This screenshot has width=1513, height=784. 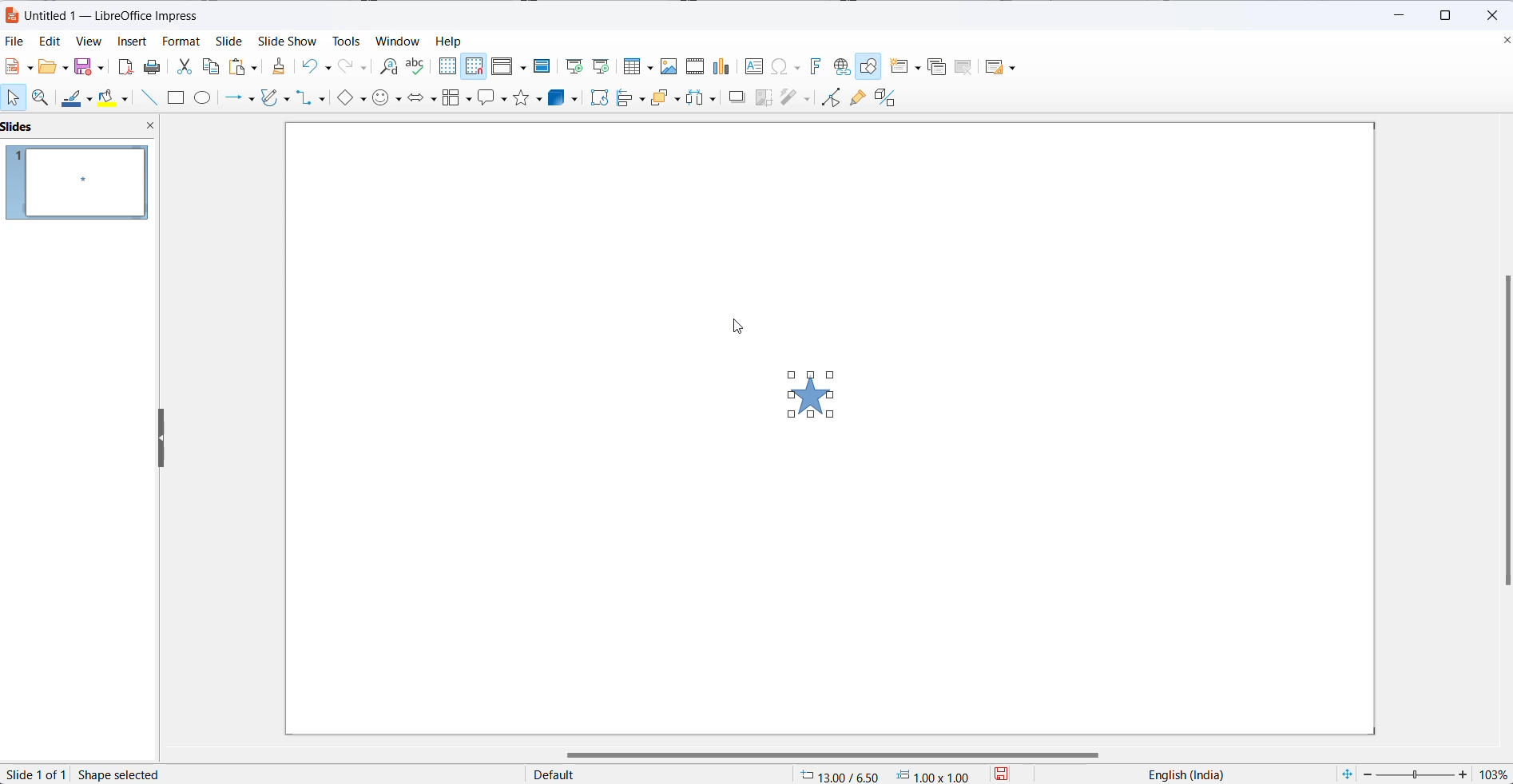 What do you see at coordinates (387, 98) in the screenshot?
I see `symbol shapes` at bounding box center [387, 98].